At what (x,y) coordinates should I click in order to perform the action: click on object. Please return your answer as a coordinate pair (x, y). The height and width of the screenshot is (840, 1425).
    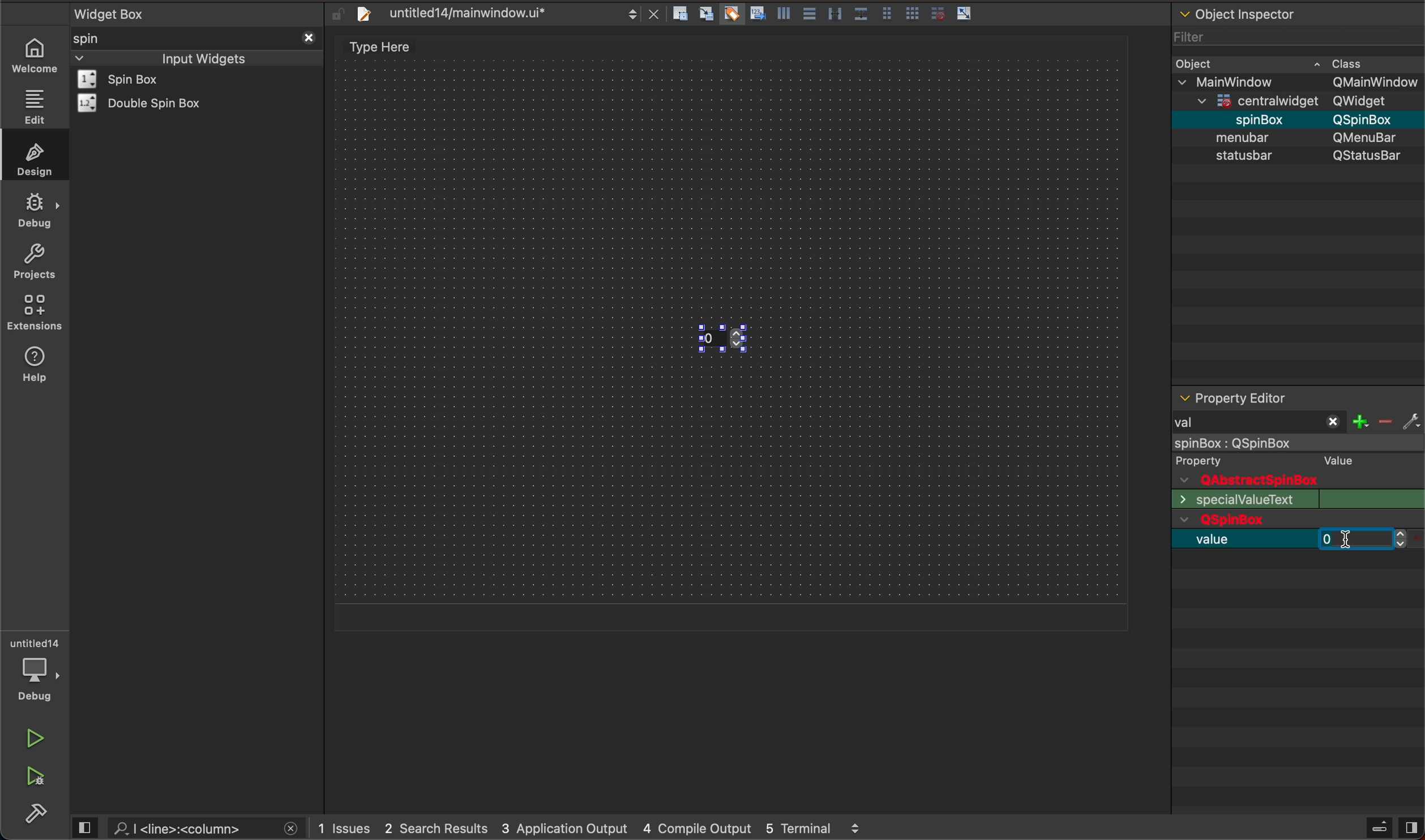
    Looking at the image, I should click on (1246, 137).